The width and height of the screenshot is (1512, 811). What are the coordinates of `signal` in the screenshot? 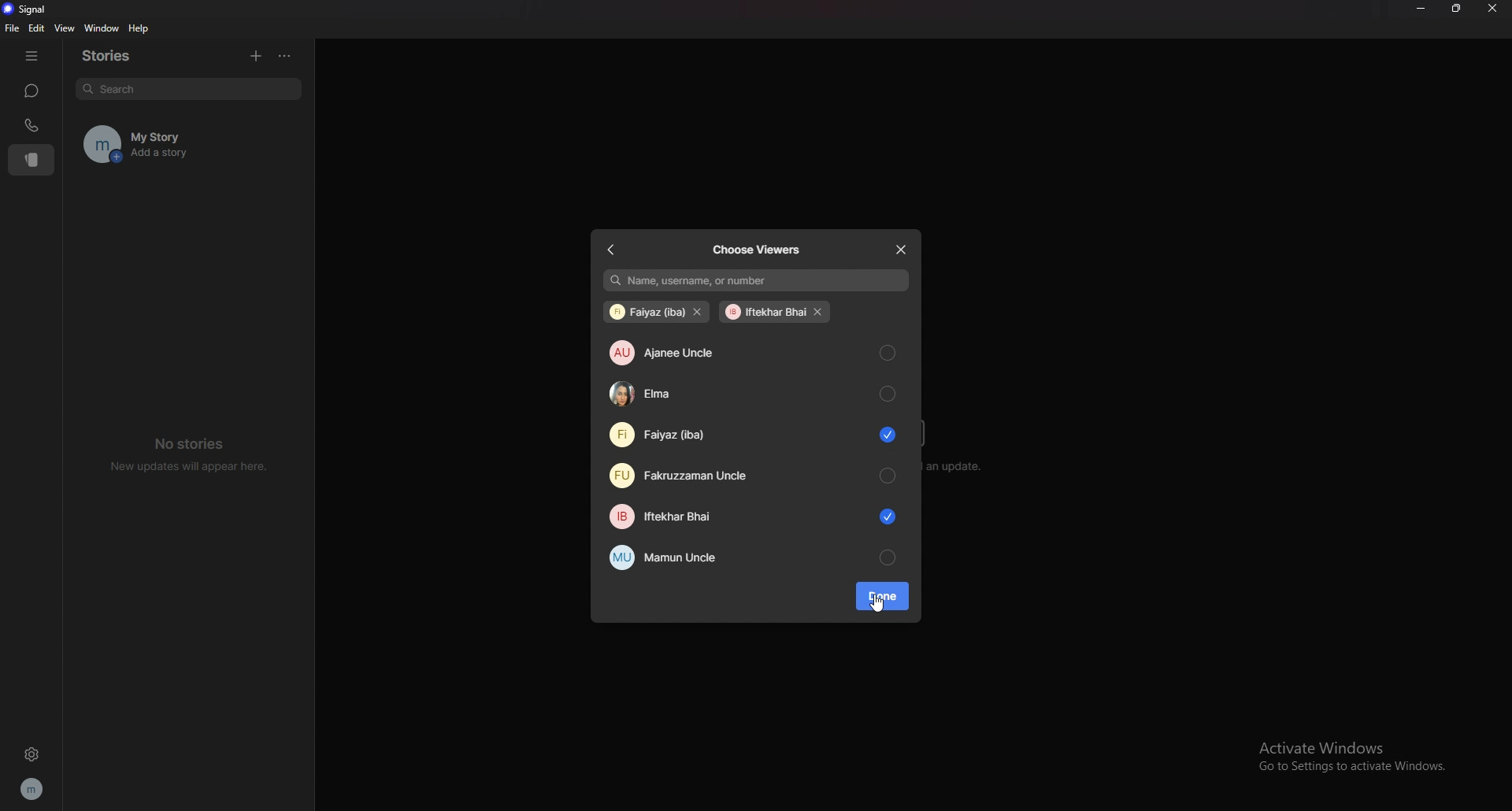 It's located at (28, 9).